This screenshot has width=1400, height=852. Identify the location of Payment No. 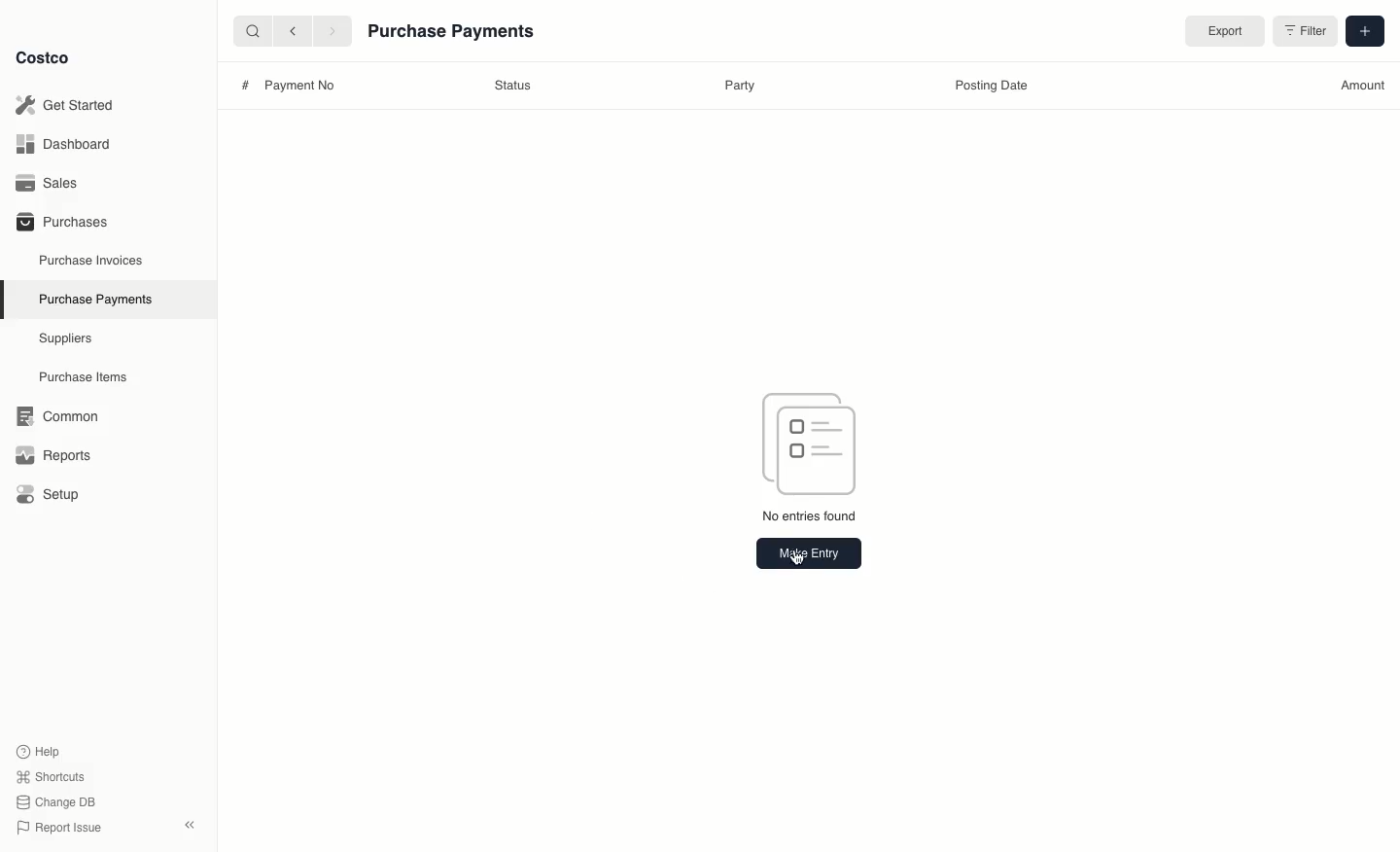
(296, 86).